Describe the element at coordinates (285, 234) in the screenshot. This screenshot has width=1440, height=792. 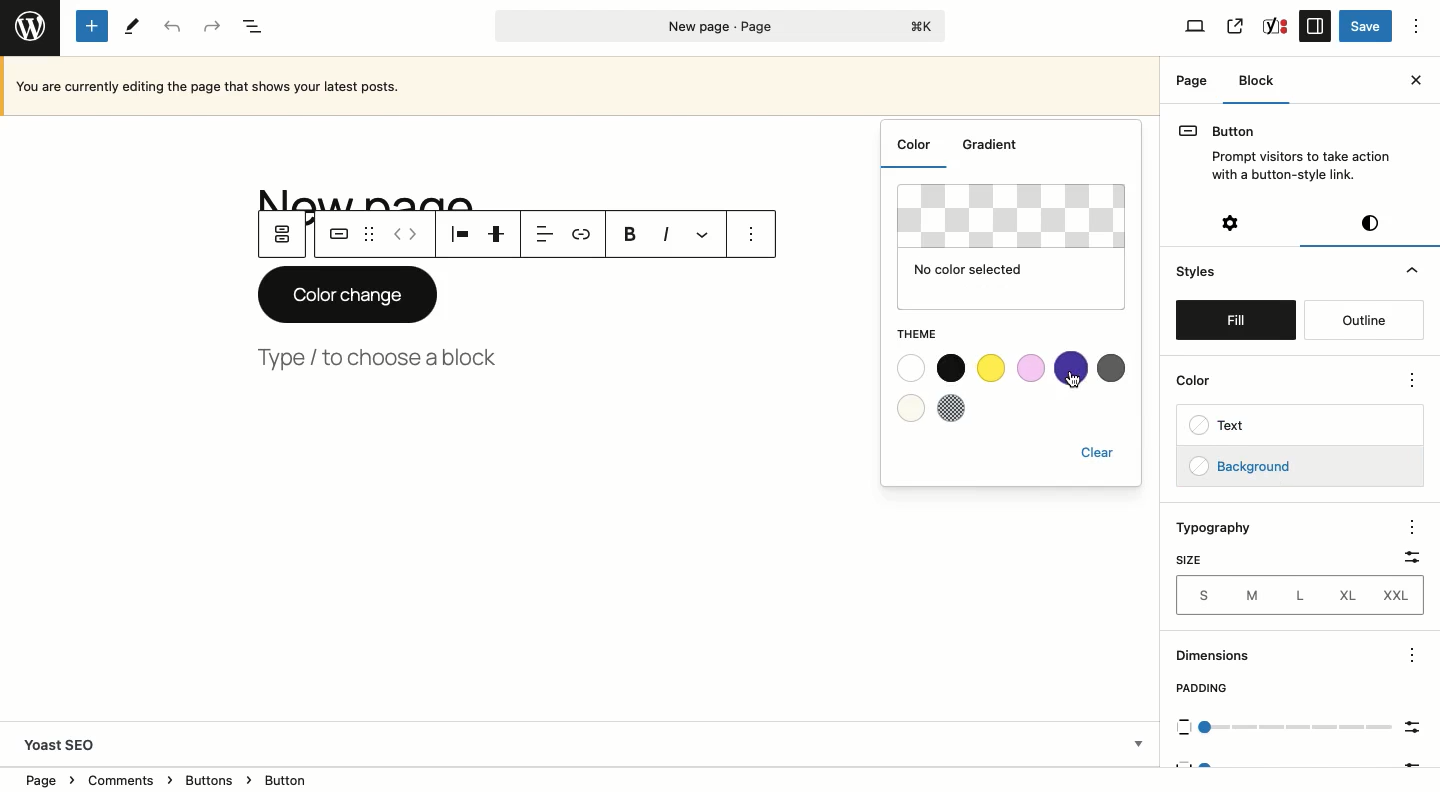
I see `Parent button` at that location.